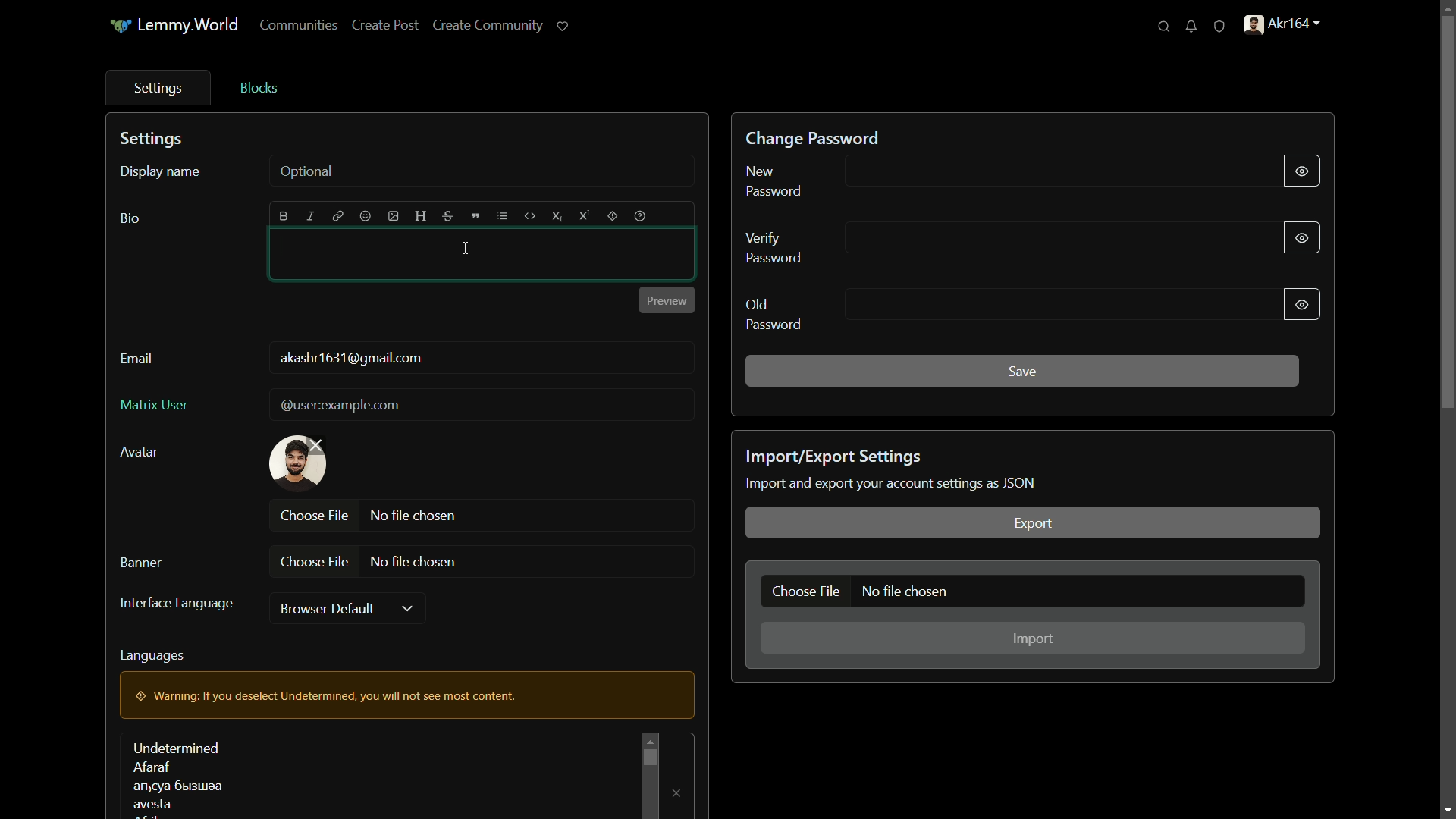 This screenshot has height=819, width=1456. Describe the element at coordinates (774, 246) in the screenshot. I see `verify password` at that location.